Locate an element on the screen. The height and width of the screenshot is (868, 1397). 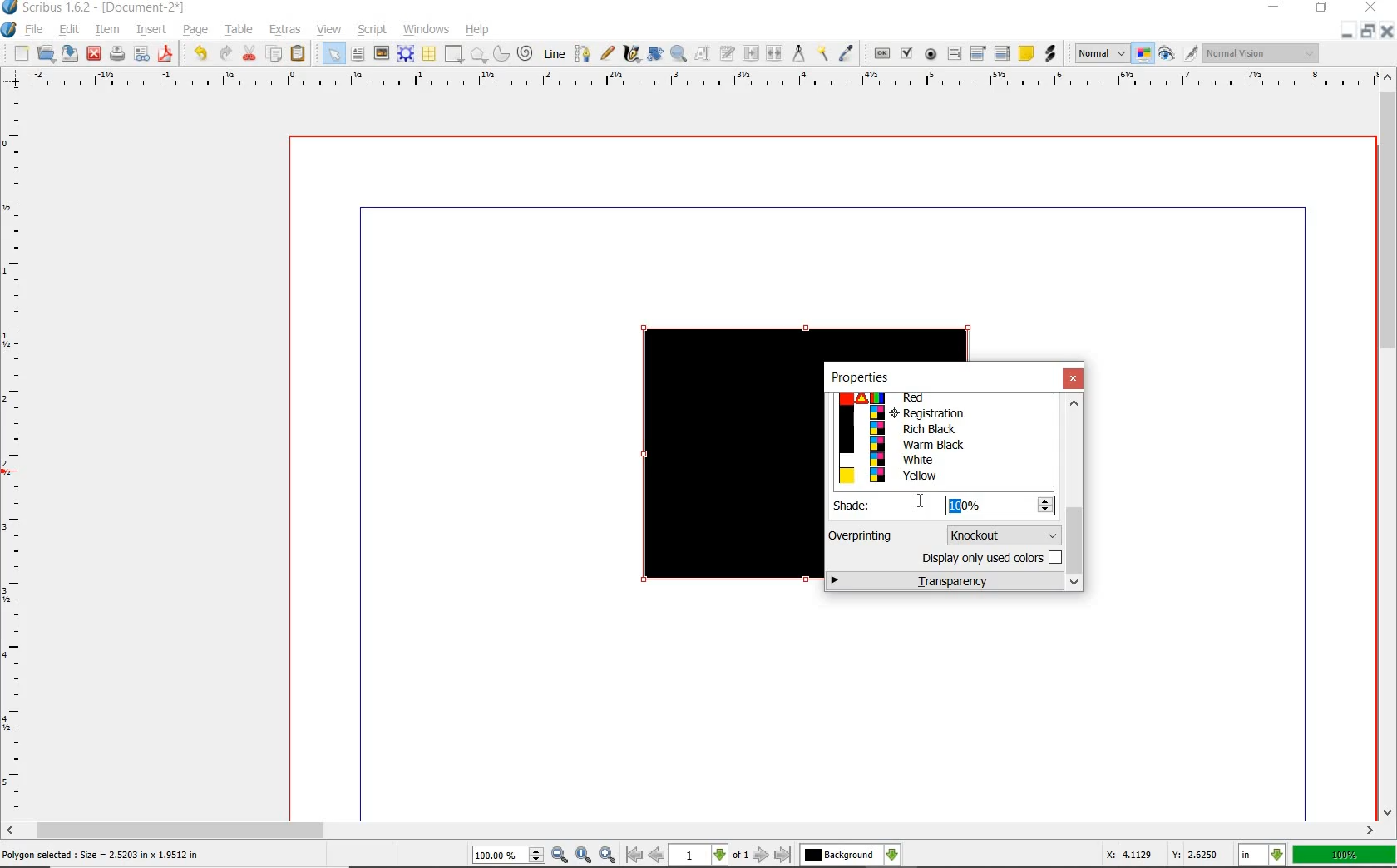
scrollbar is located at coordinates (1075, 494).